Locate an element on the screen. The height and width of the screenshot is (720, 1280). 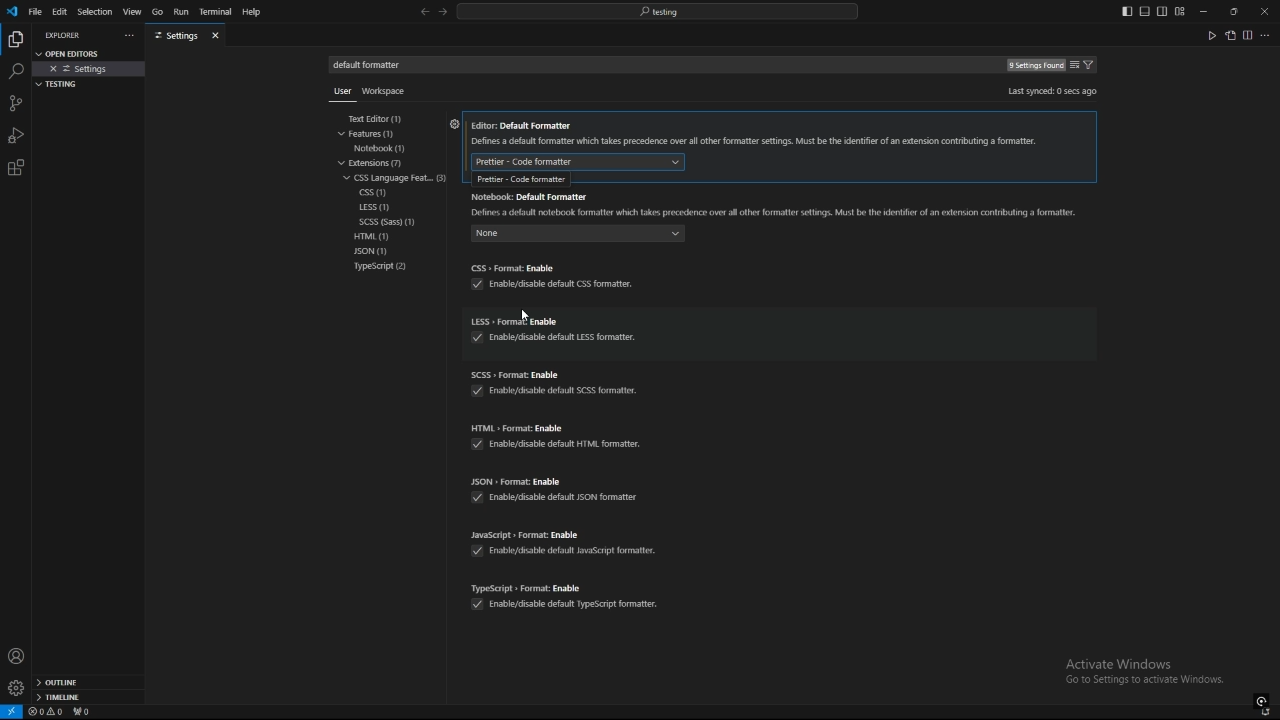
editor layout is located at coordinates (1153, 11).